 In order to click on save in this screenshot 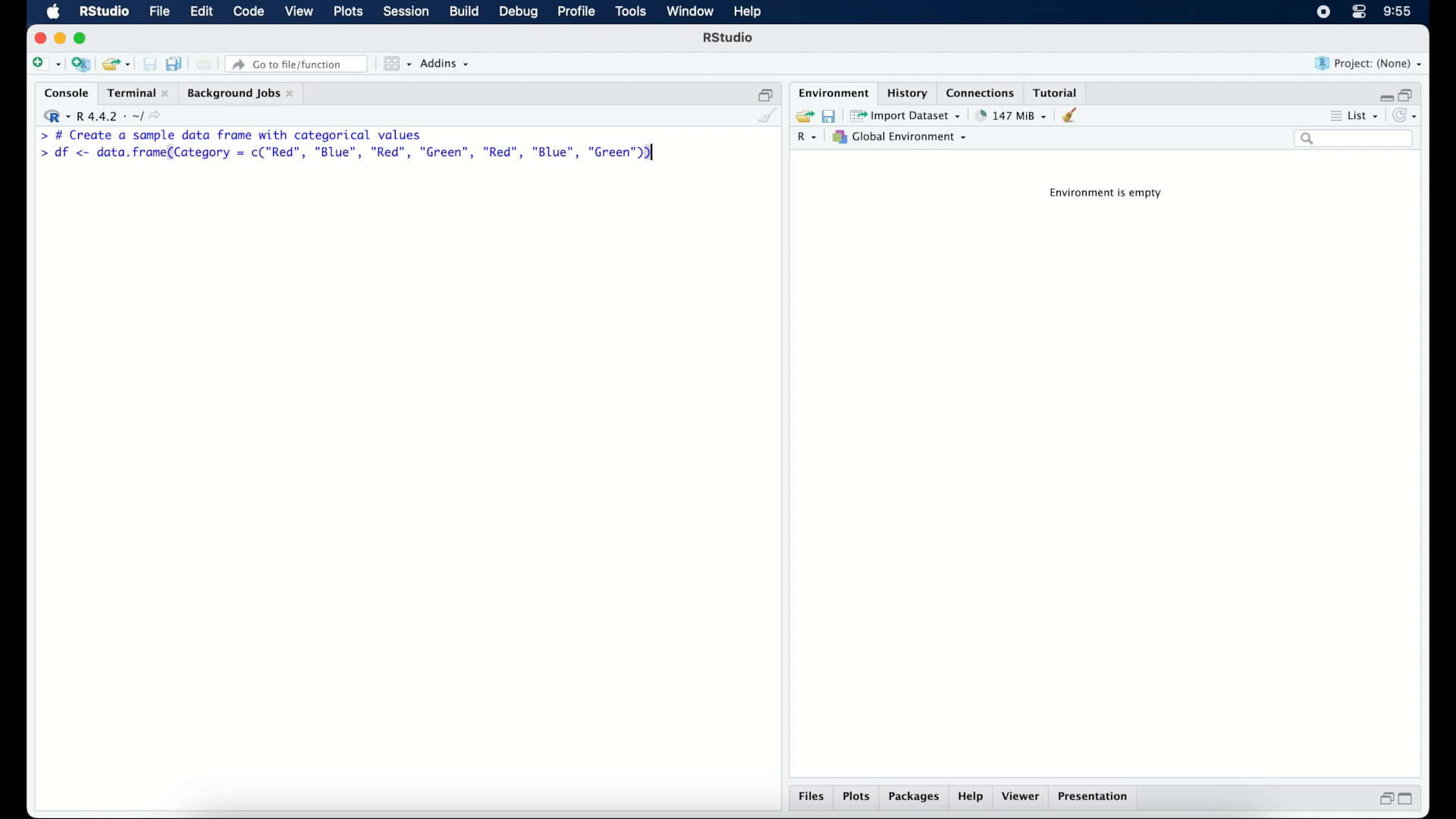, I will do `click(147, 61)`.